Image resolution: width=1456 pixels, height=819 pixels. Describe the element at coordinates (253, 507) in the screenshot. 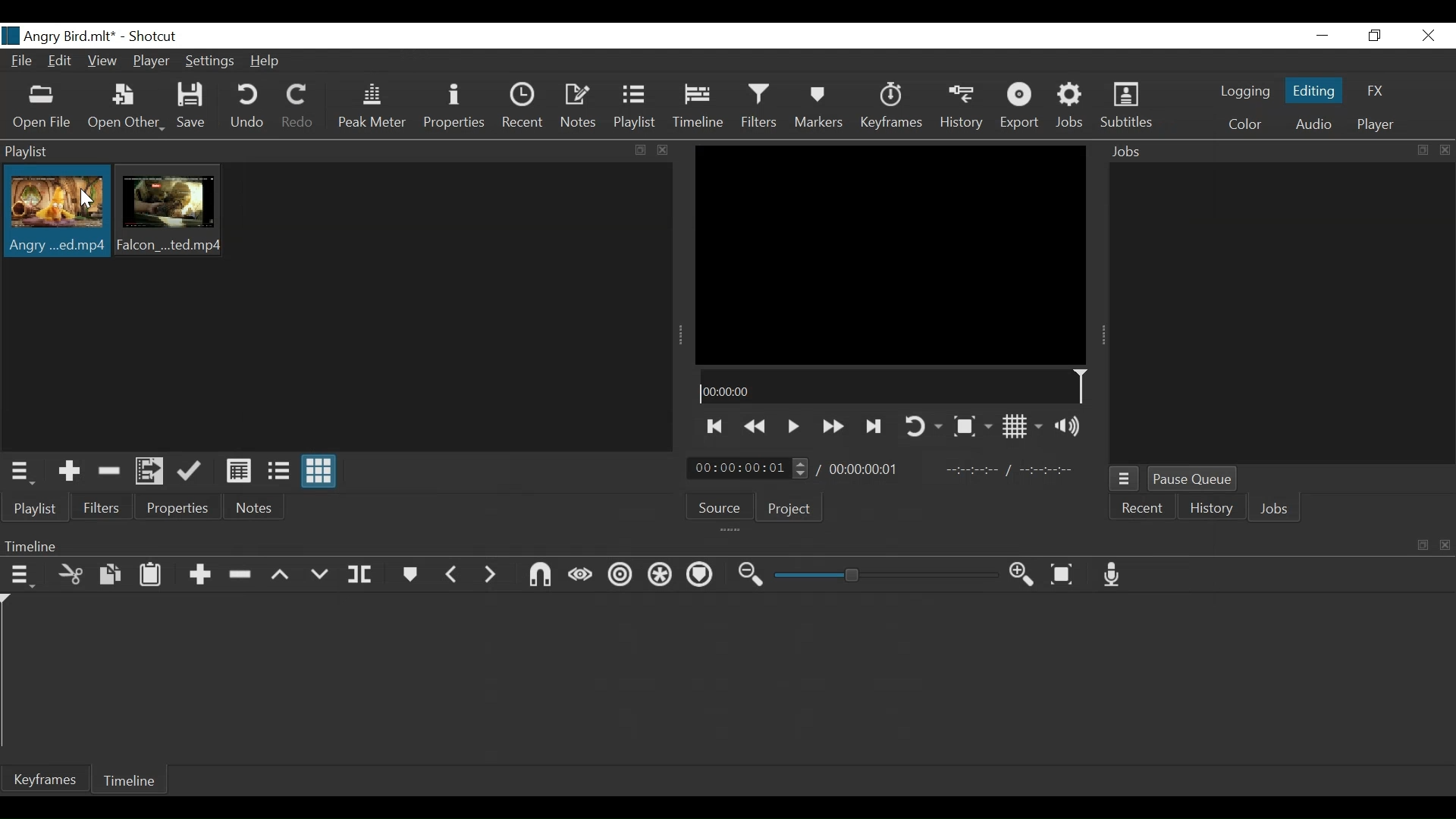

I see `Notes` at that location.